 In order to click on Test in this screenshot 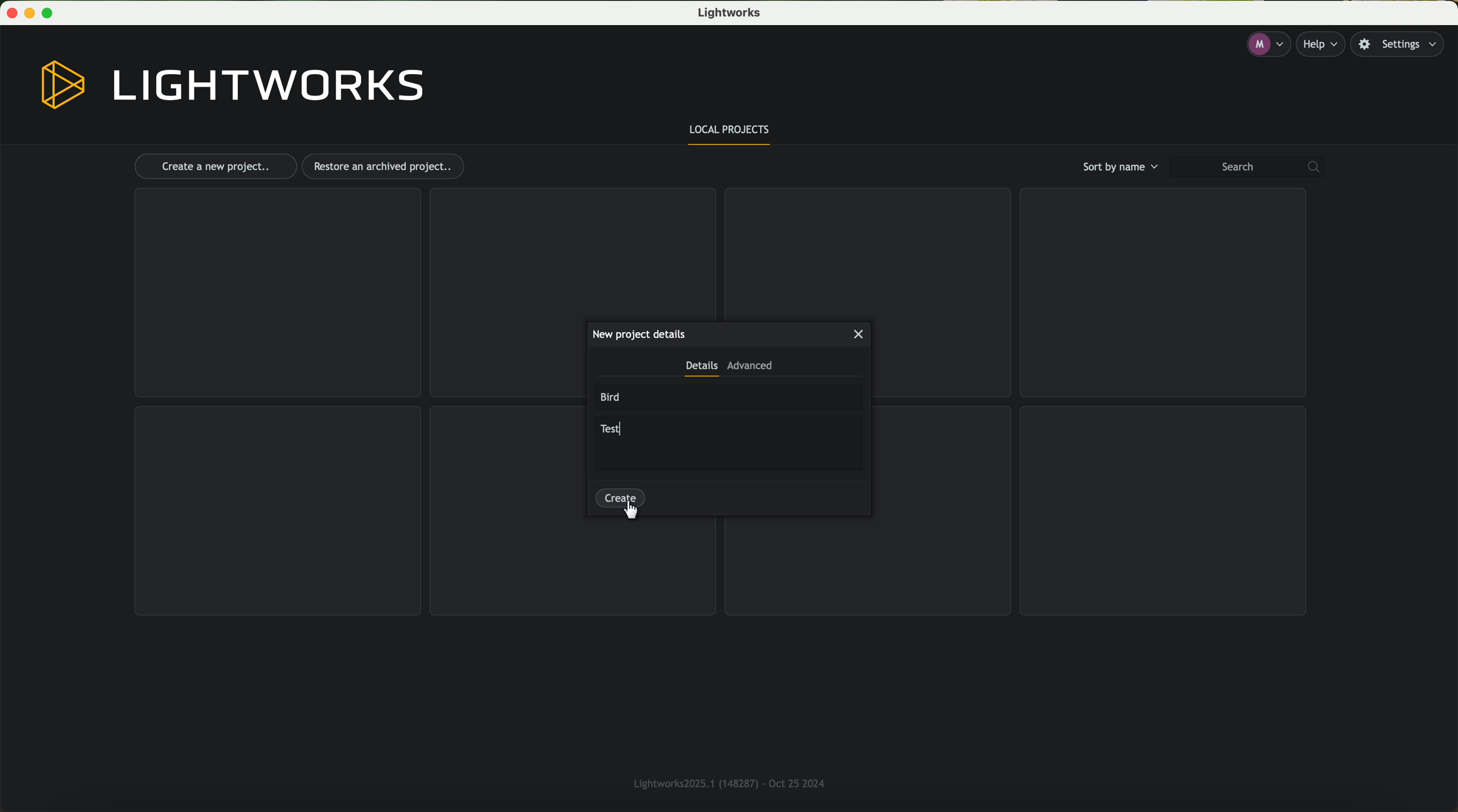, I will do `click(612, 427)`.